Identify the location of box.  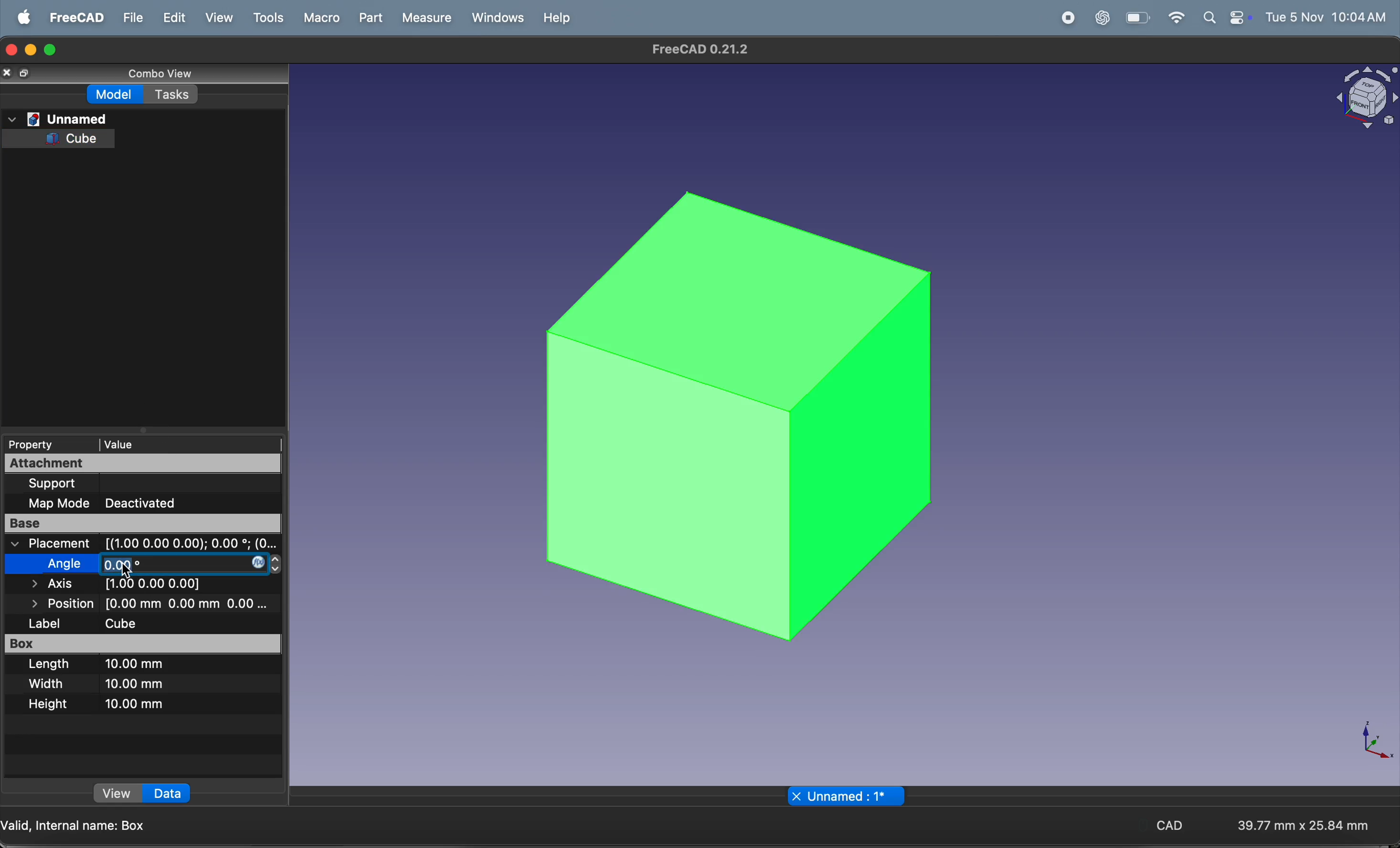
(147, 644).